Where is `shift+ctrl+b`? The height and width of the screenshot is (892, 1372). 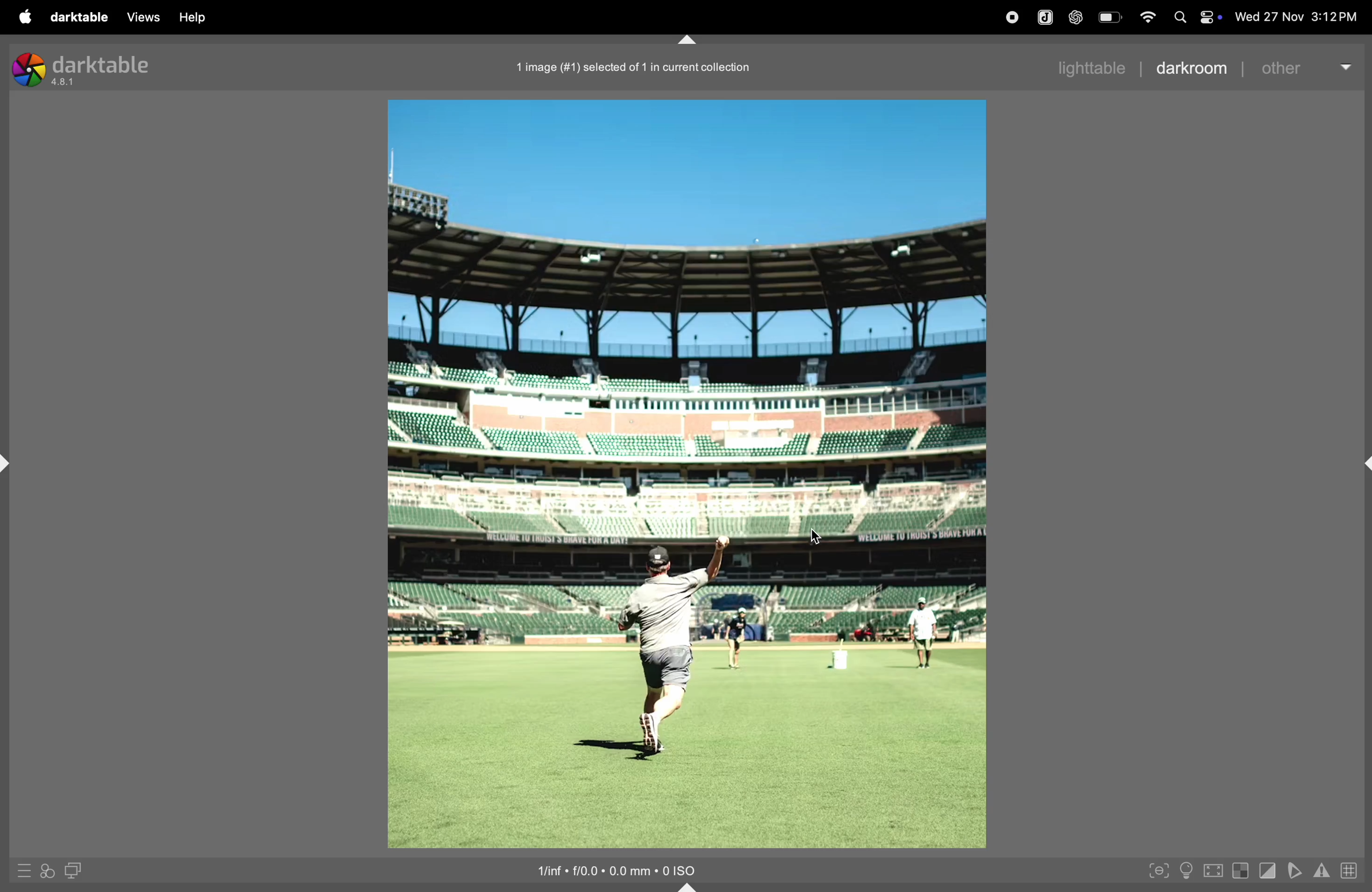
shift+ctrl+b is located at coordinates (692, 886).